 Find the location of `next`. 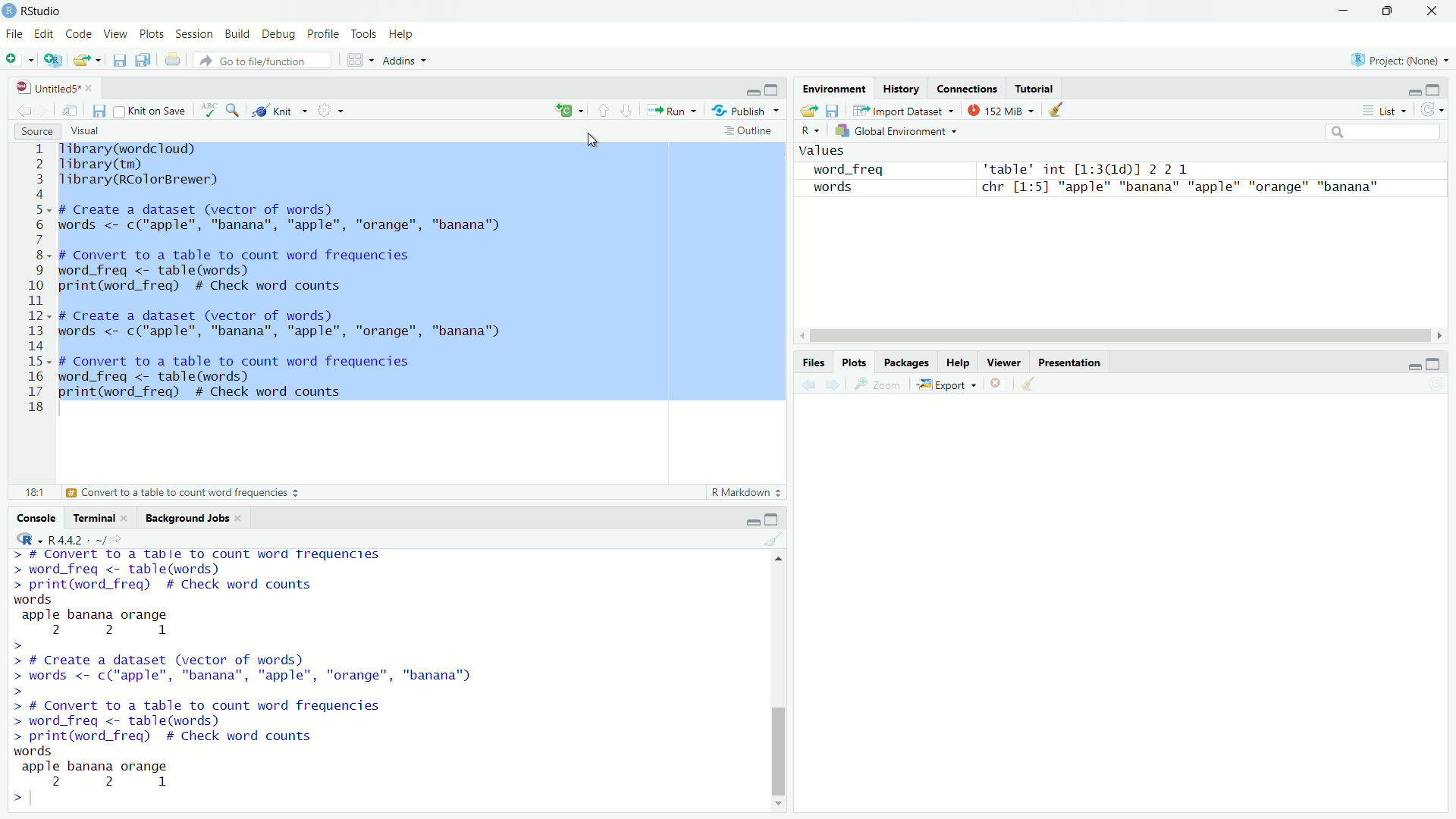

next is located at coordinates (833, 384).